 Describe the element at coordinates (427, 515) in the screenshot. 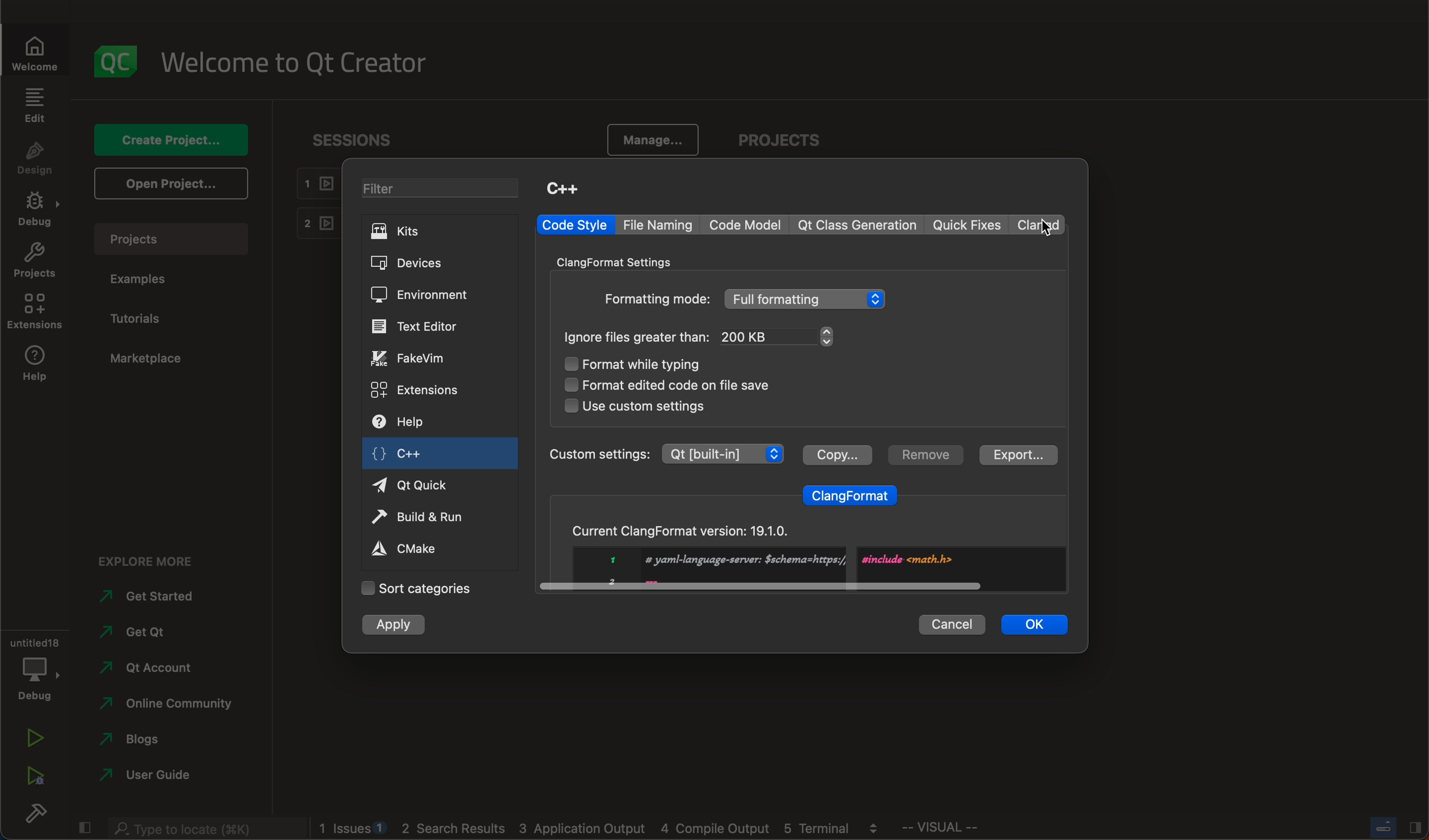

I see `build and run` at that location.